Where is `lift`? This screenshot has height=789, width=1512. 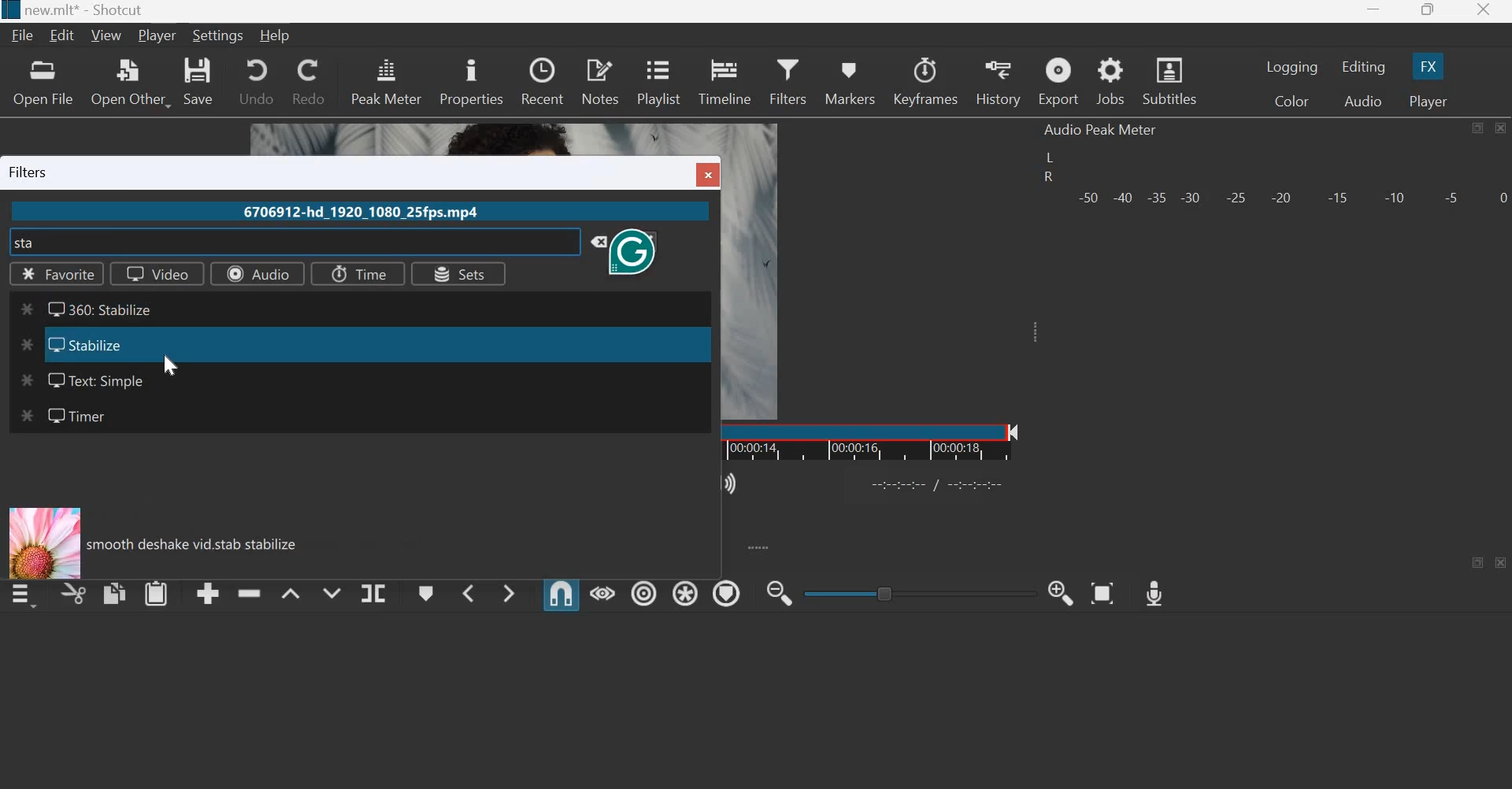
lift is located at coordinates (291, 592).